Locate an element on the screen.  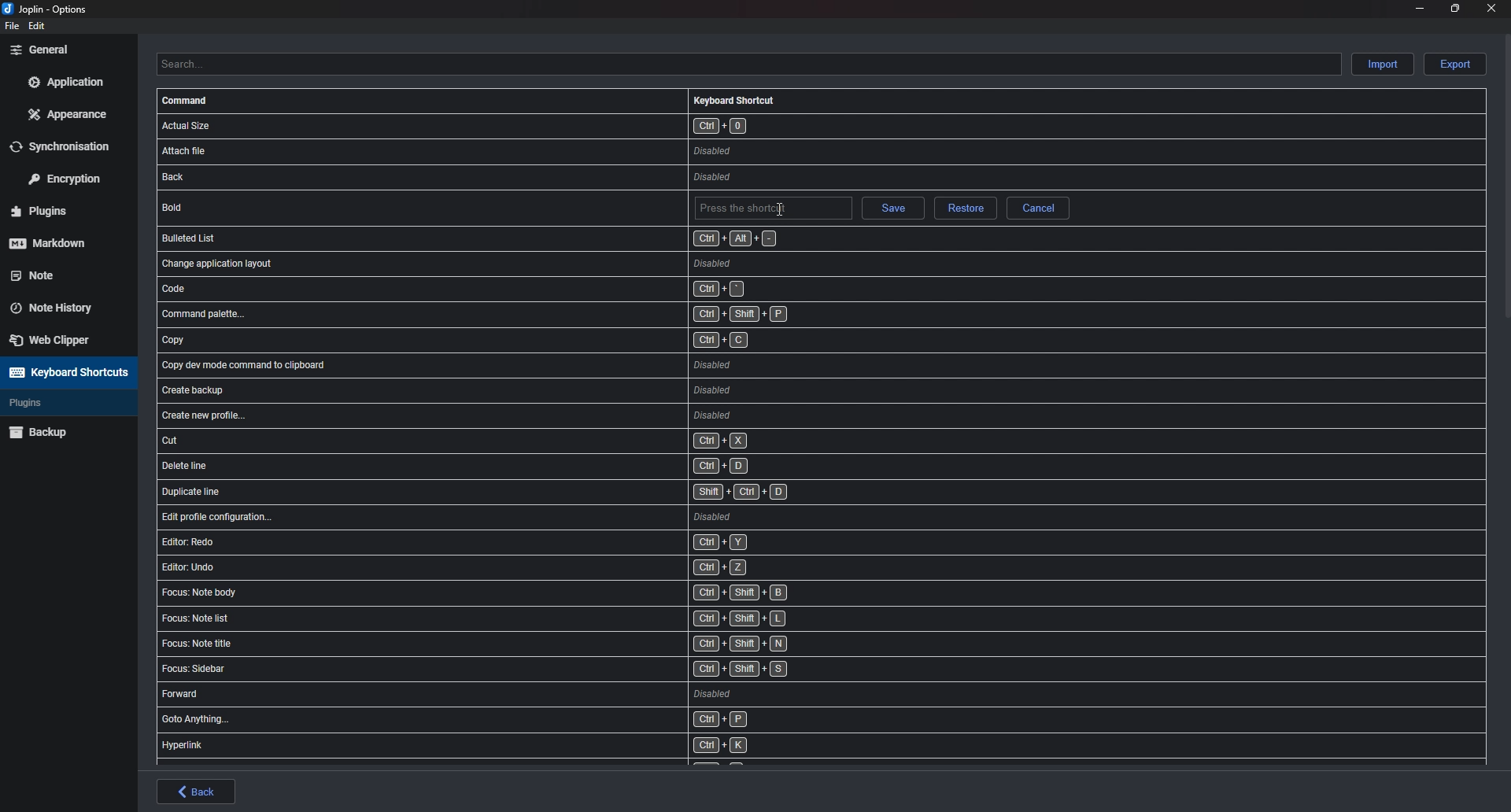
shortcut is located at coordinates (525, 262).